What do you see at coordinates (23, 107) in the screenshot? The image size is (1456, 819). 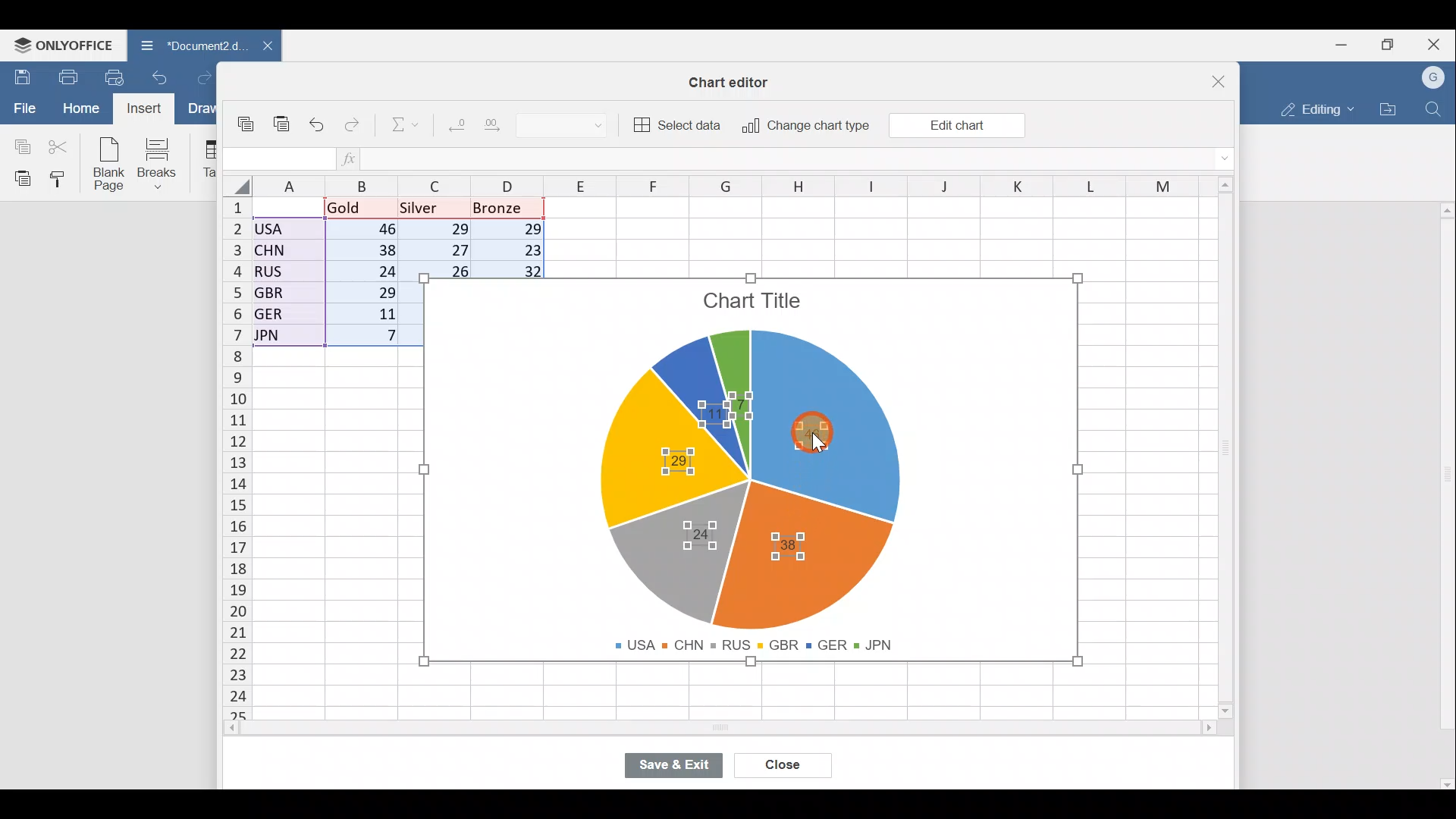 I see `File` at bounding box center [23, 107].